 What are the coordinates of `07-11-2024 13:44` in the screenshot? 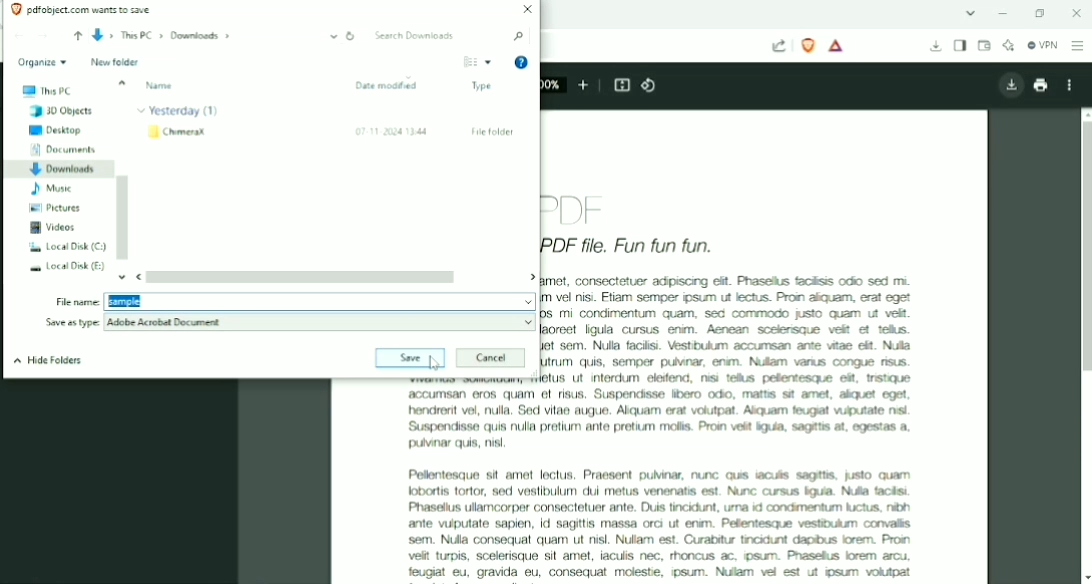 It's located at (392, 132).